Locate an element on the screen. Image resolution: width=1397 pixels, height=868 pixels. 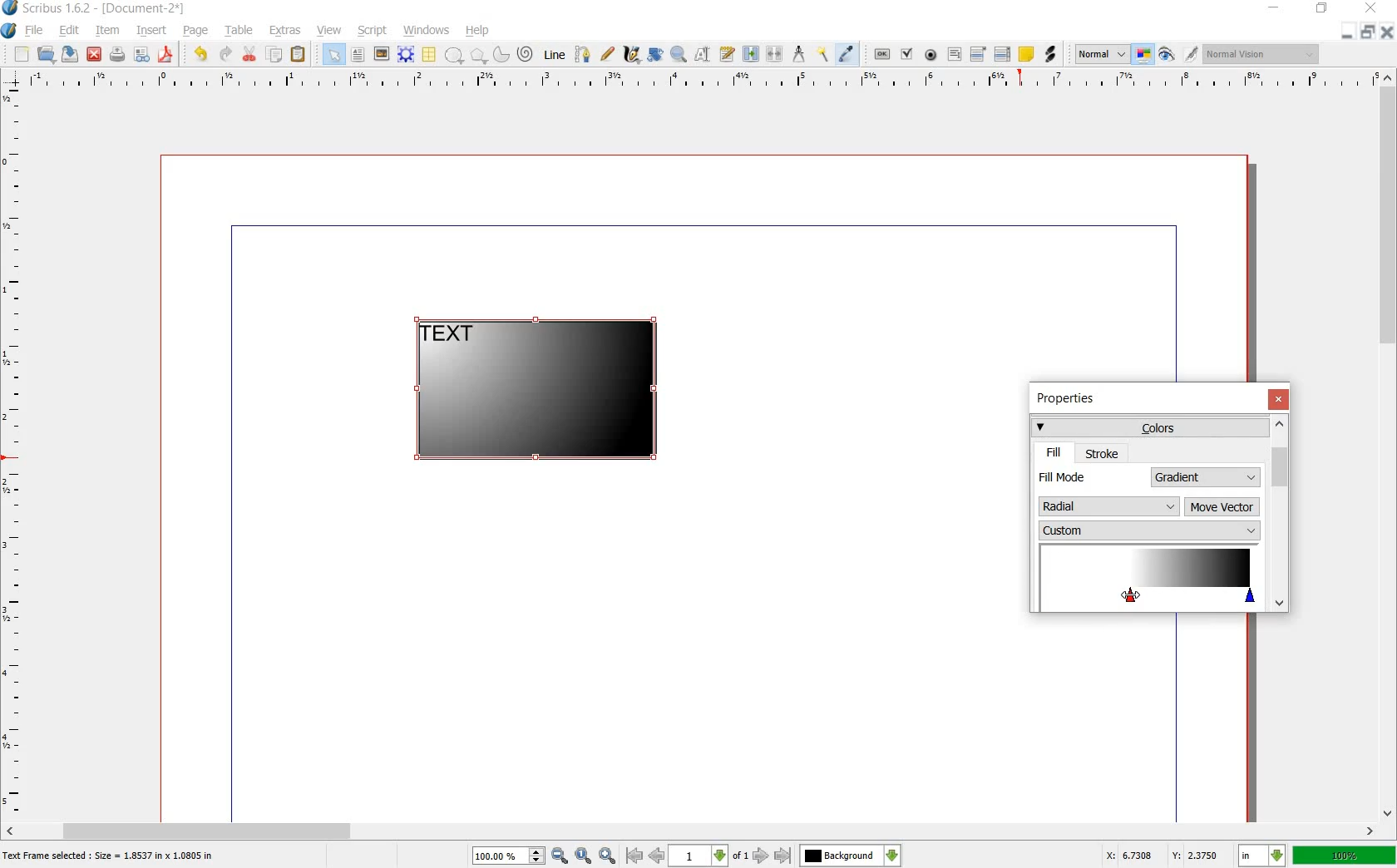
zoom to is located at coordinates (584, 856).